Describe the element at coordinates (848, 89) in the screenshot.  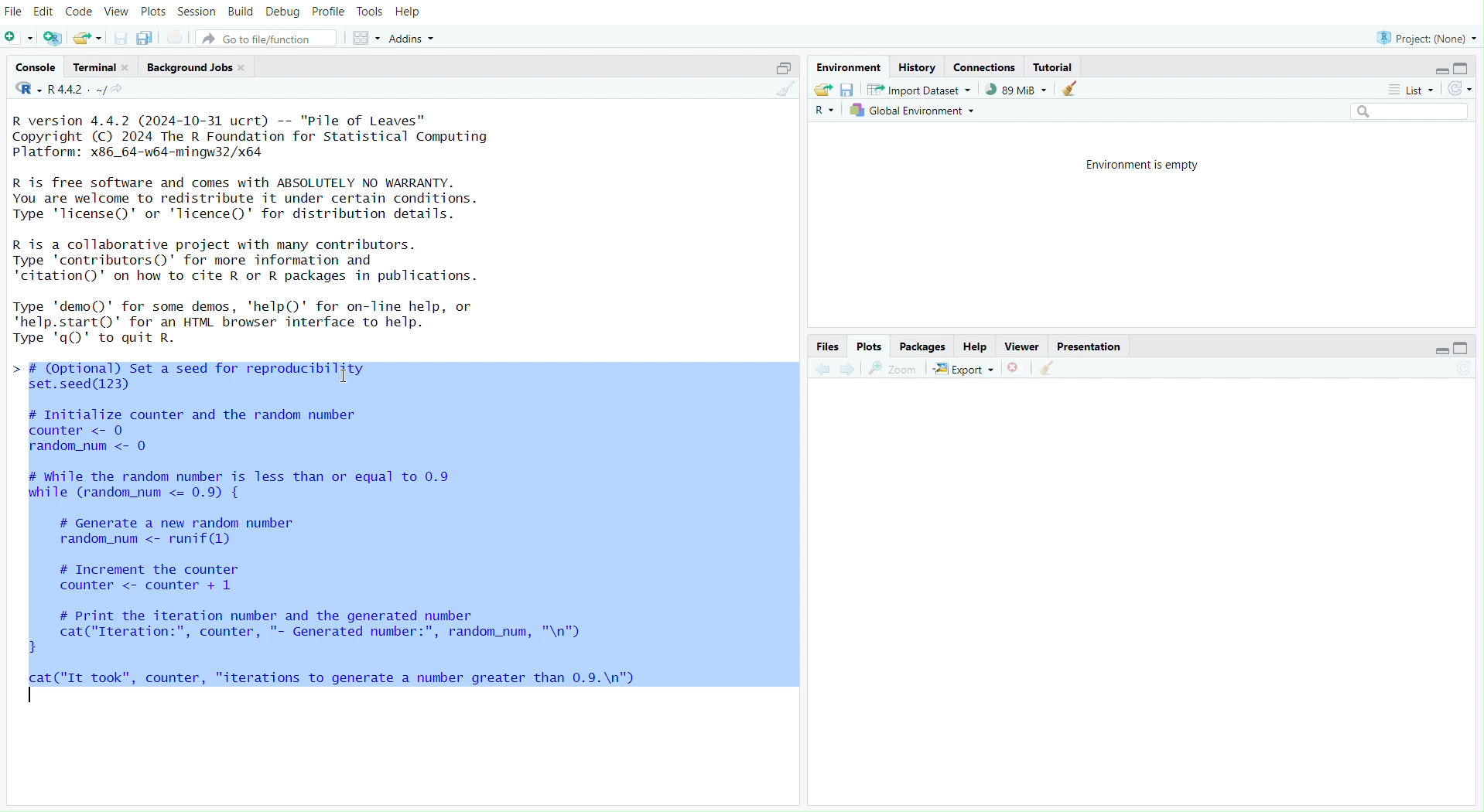
I see `Save workspace as` at that location.